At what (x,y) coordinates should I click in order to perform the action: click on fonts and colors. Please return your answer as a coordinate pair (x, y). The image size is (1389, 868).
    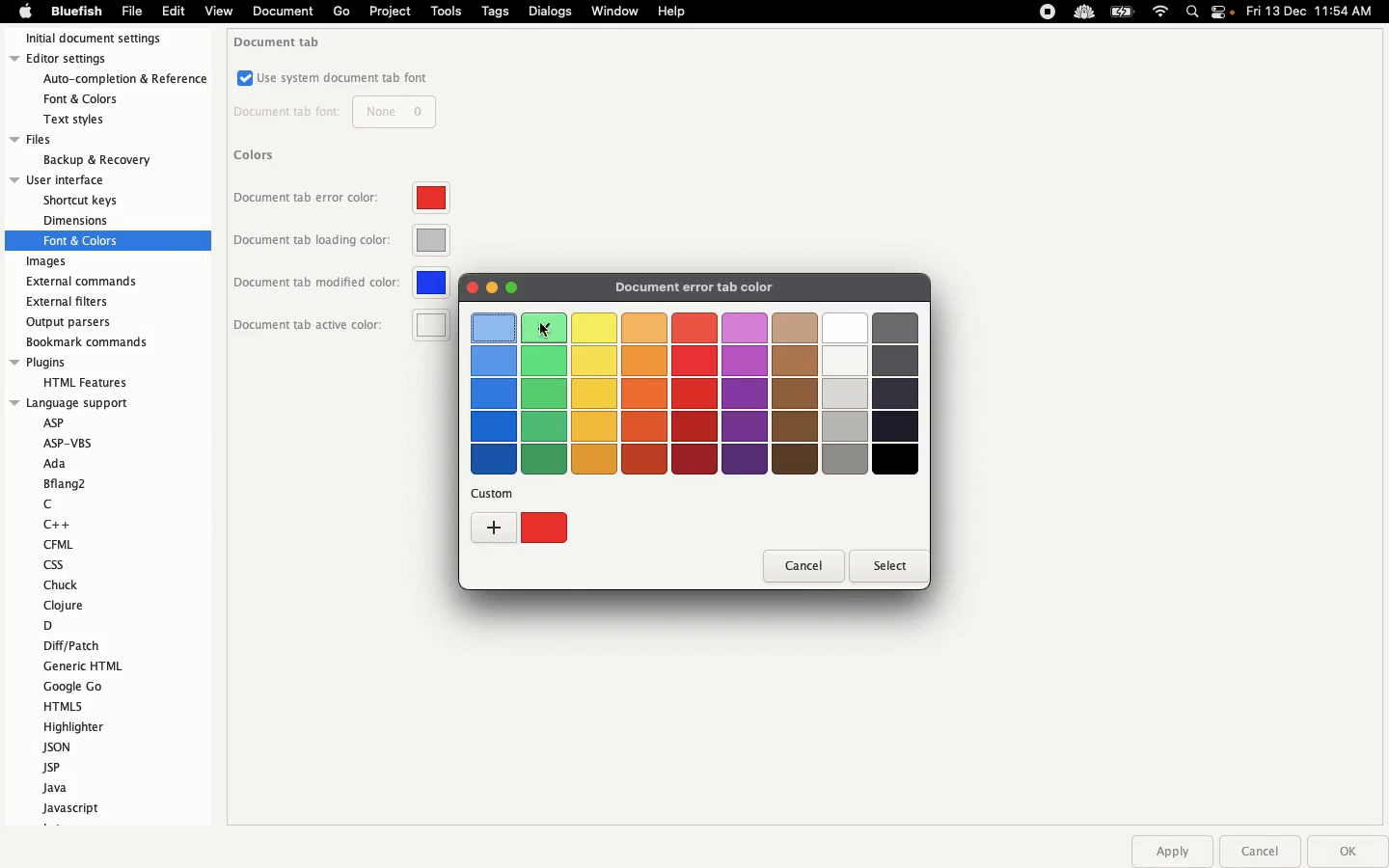
    Looking at the image, I should click on (107, 240).